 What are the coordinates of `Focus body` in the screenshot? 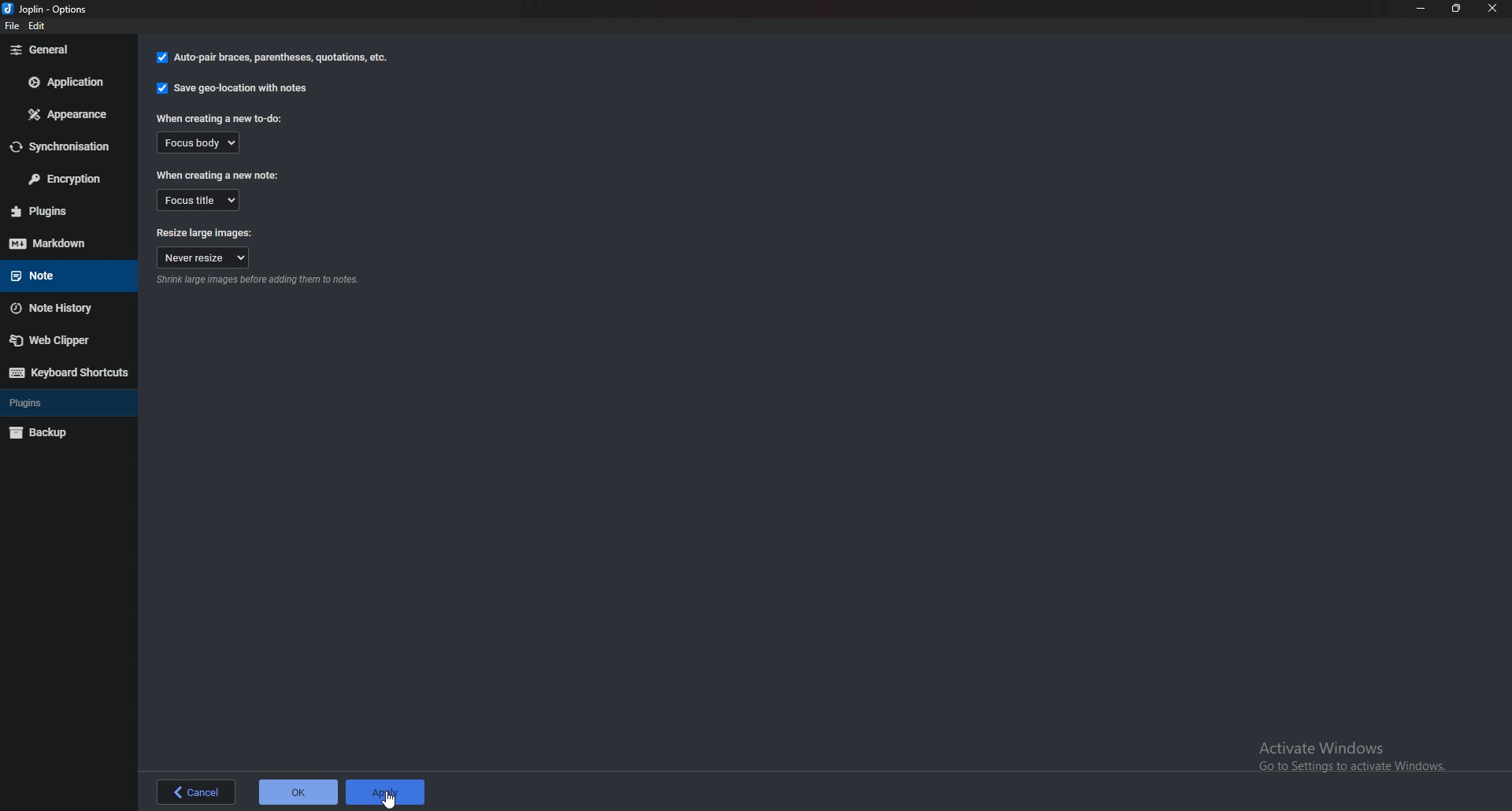 It's located at (197, 142).